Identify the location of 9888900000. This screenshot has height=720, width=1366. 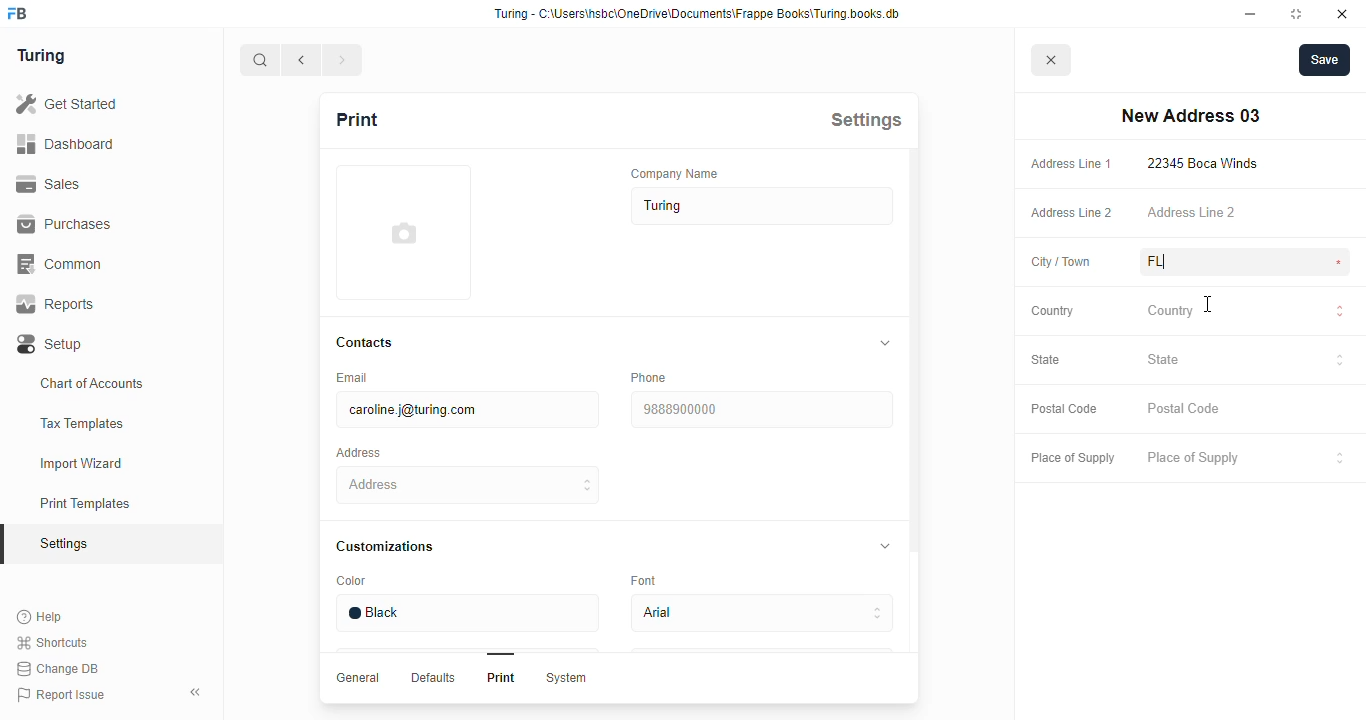
(760, 410).